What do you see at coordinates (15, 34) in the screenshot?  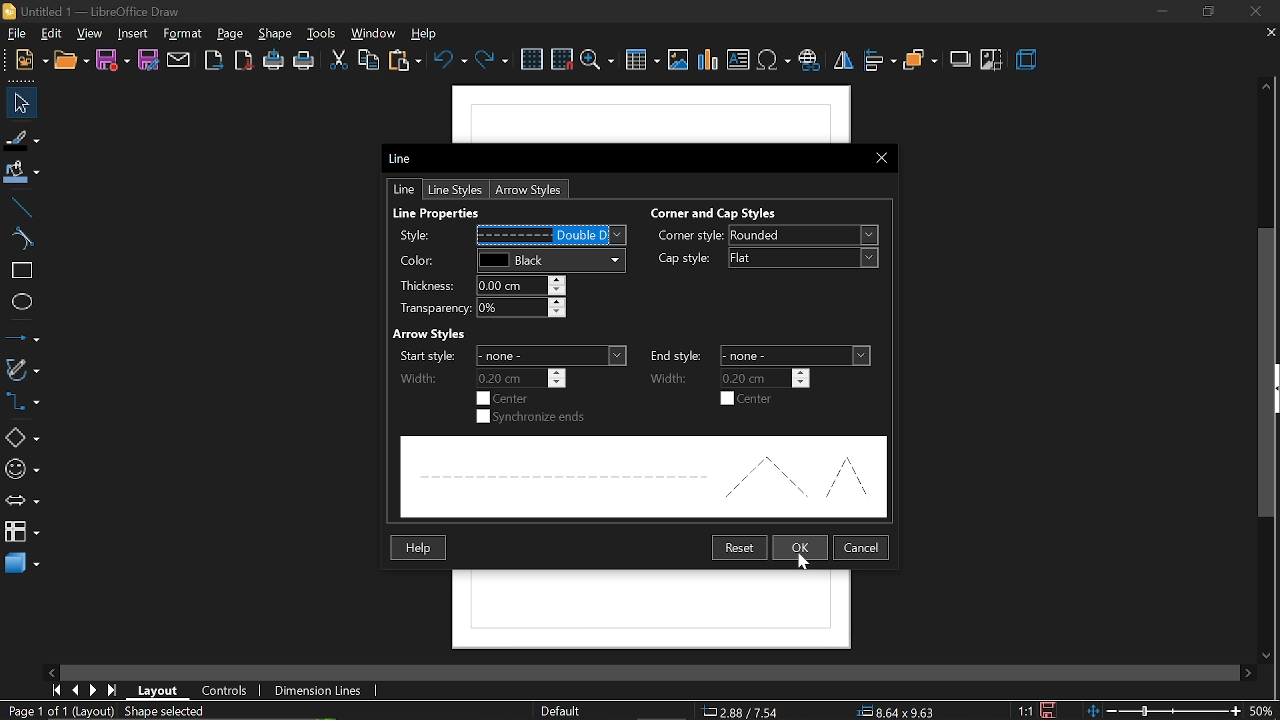 I see `file` at bounding box center [15, 34].